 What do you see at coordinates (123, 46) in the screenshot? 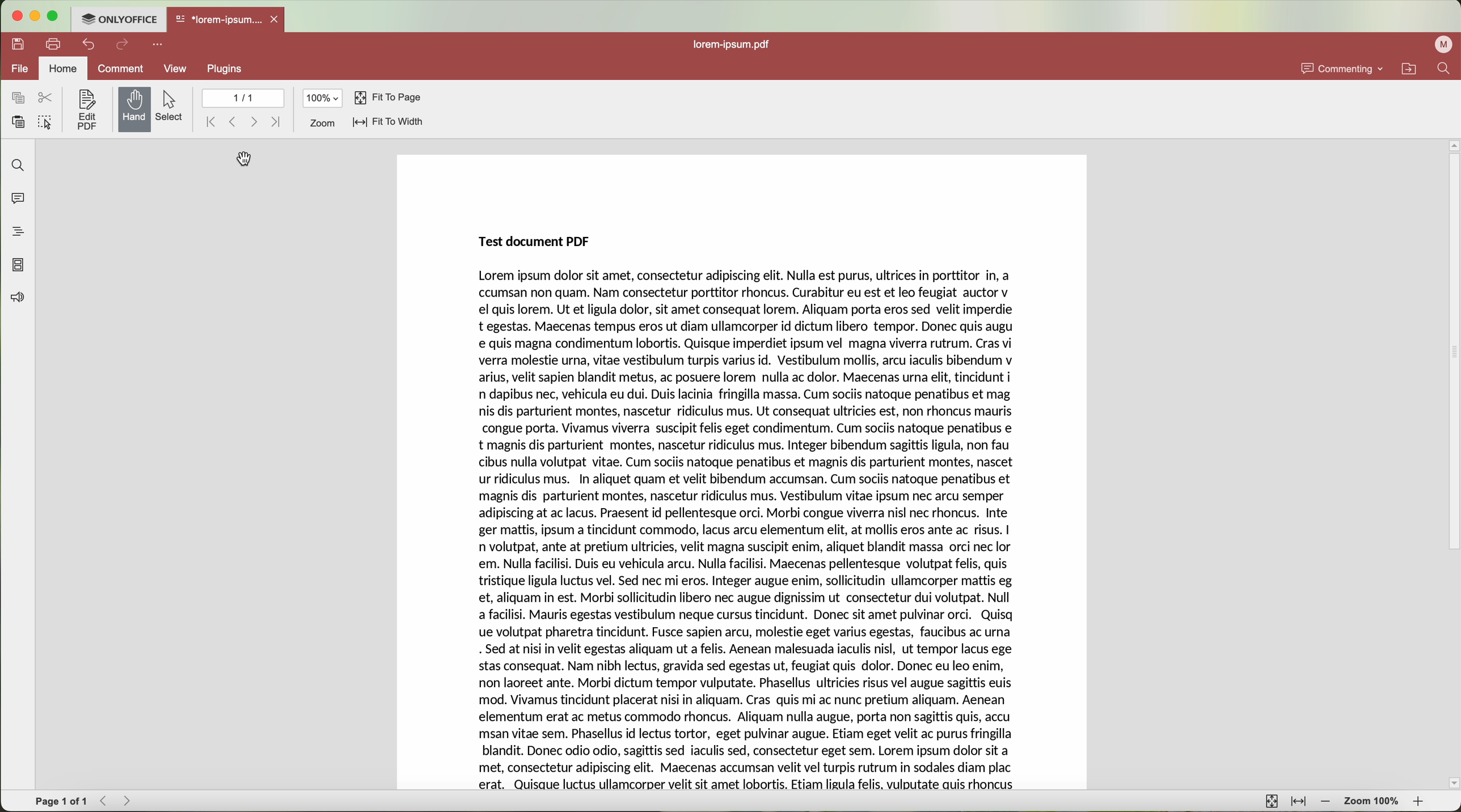
I see `redo` at bounding box center [123, 46].